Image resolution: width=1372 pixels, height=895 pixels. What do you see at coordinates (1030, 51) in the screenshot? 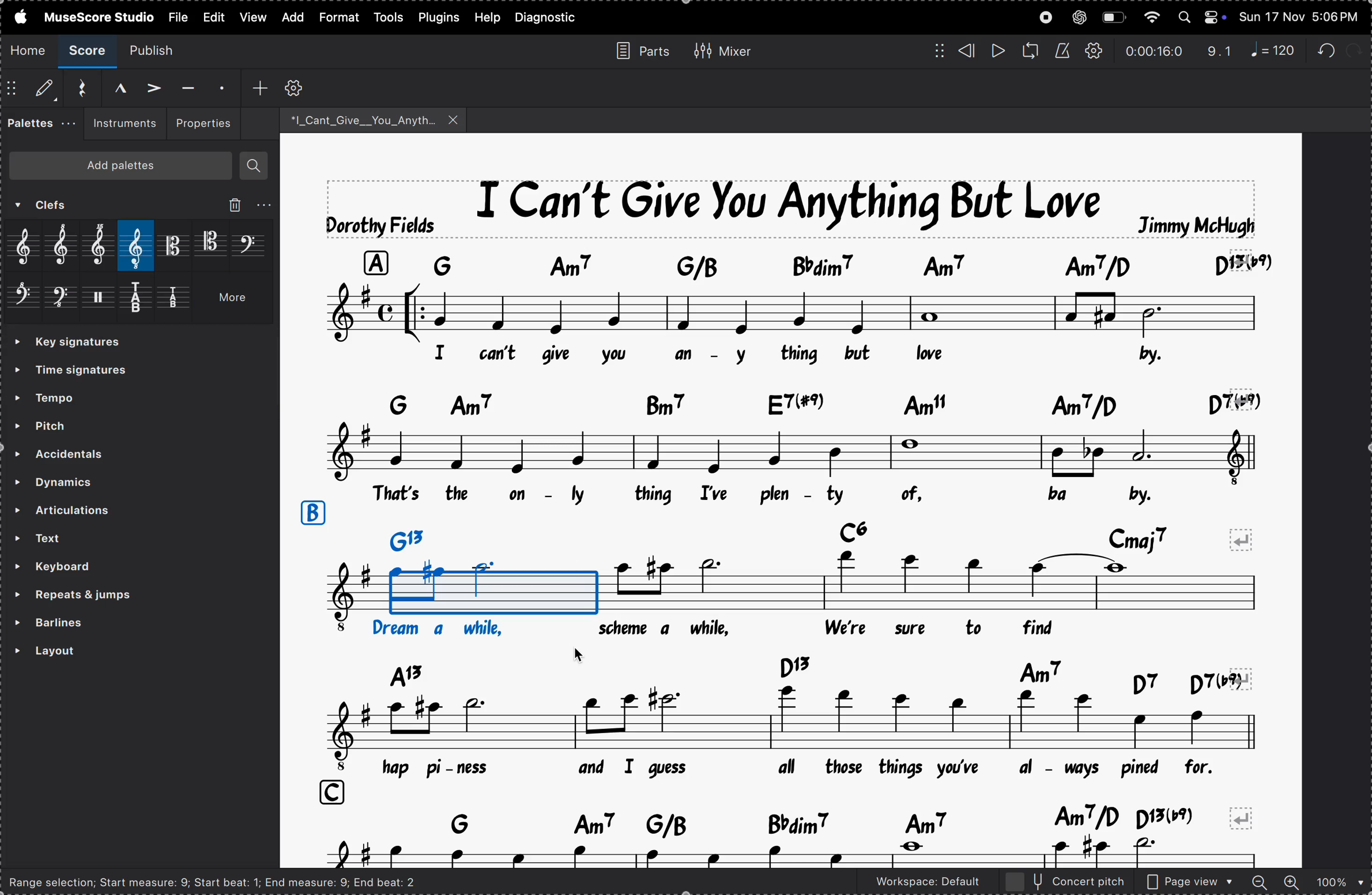
I see `loop playback` at bounding box center [1030, 51].